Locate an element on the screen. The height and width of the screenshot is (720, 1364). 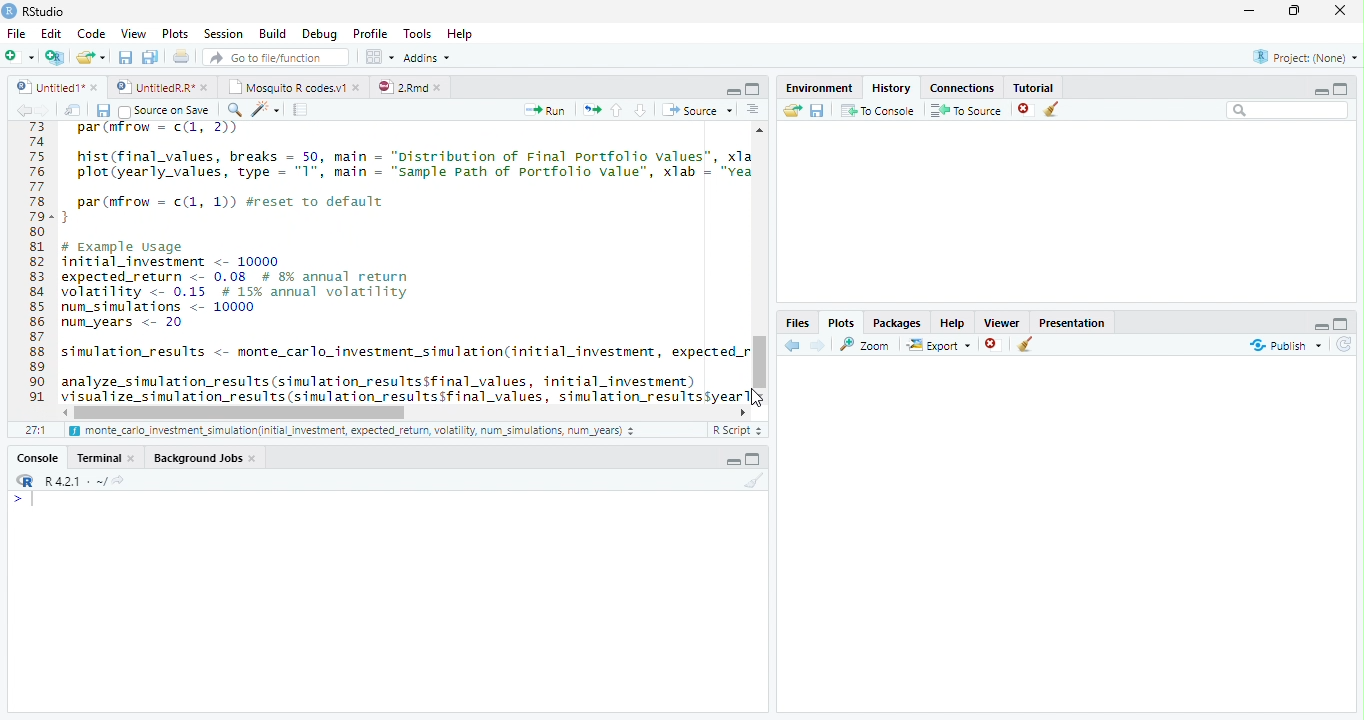
Session is located at coordinates (222, 33).